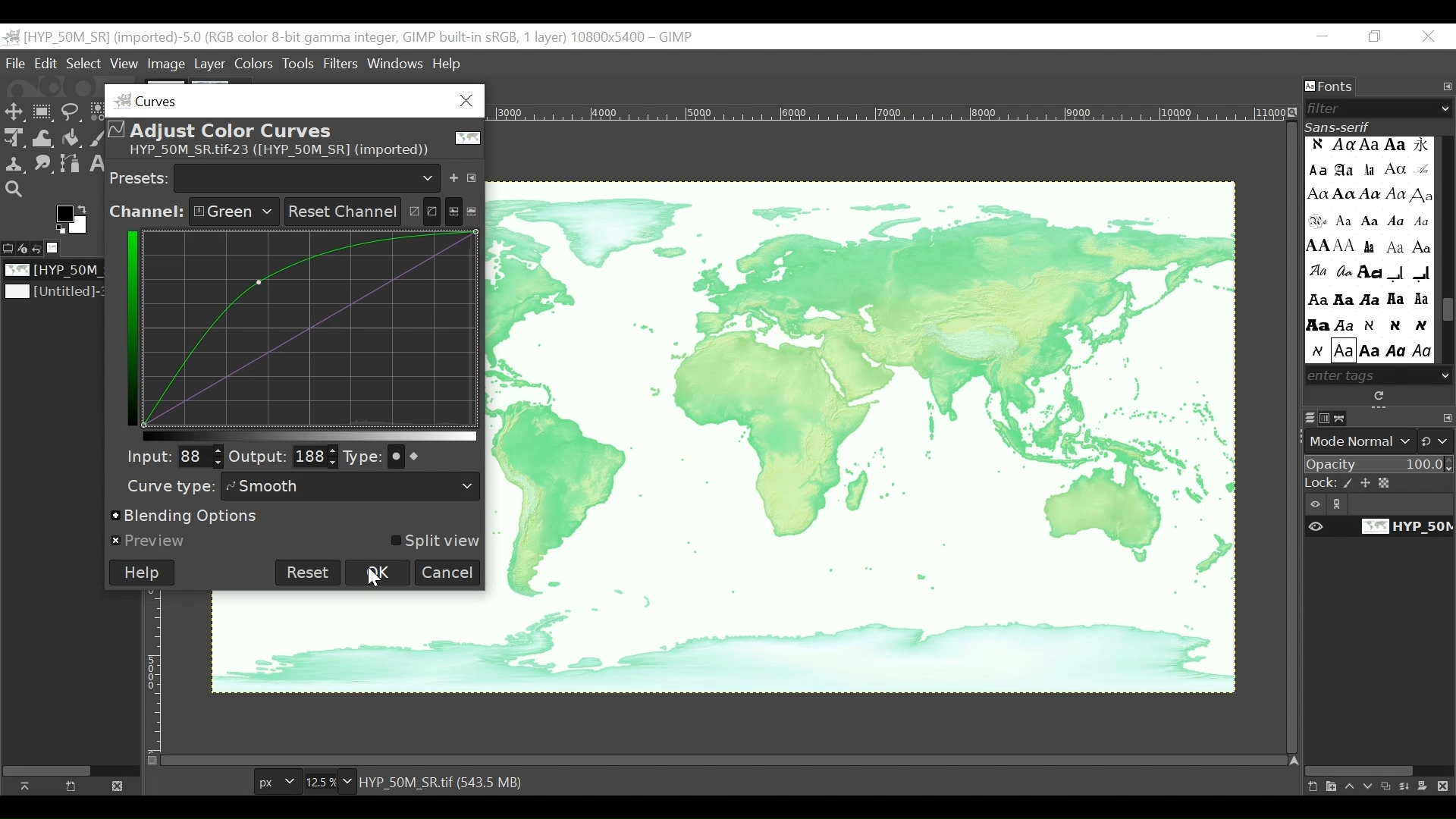  What do you see at coordinates (290, 100) in the screenshot?
I see `Curves` at bounding box center [290, 100].